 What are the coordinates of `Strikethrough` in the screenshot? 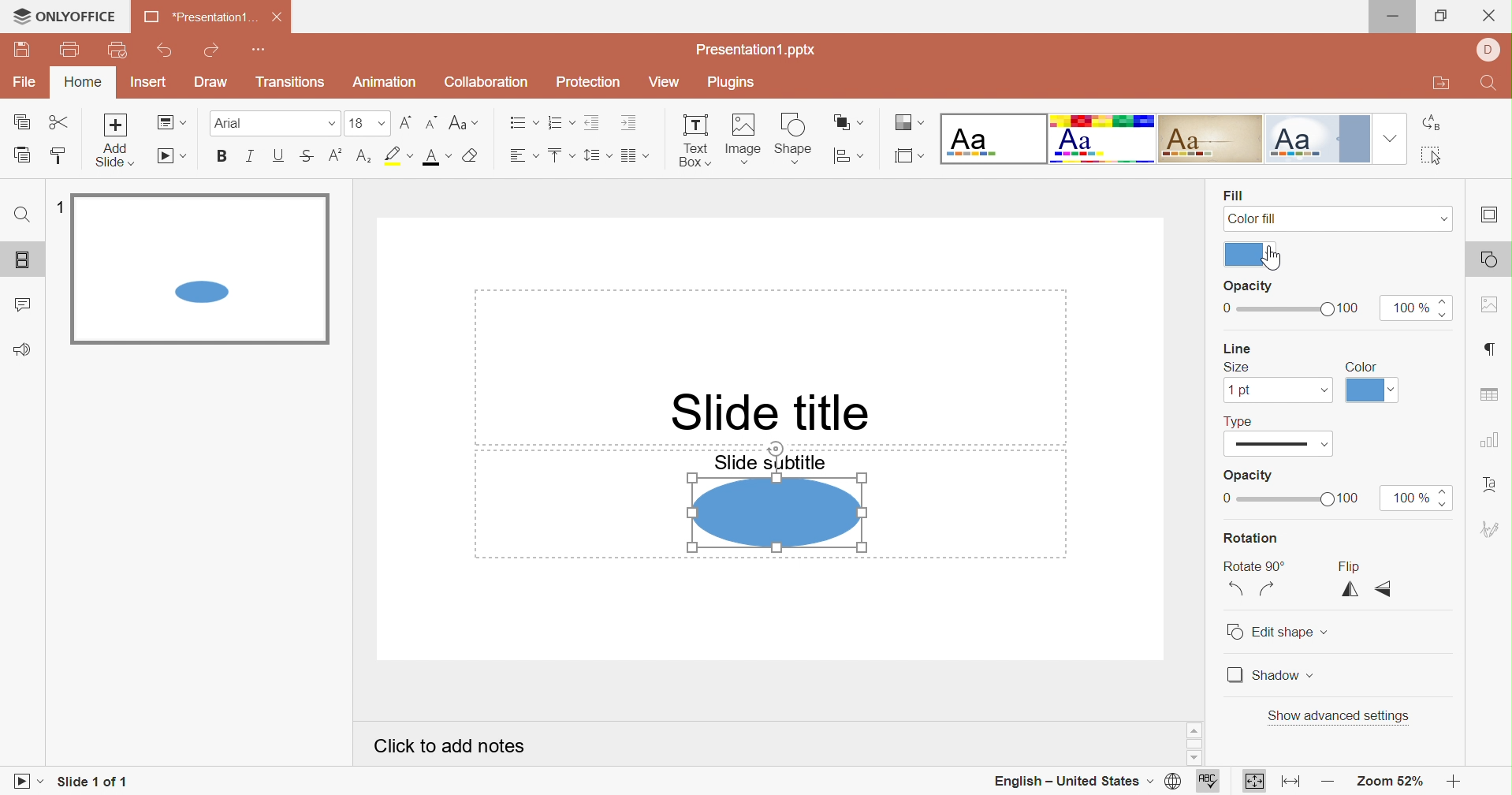 It's located at (307, 157).